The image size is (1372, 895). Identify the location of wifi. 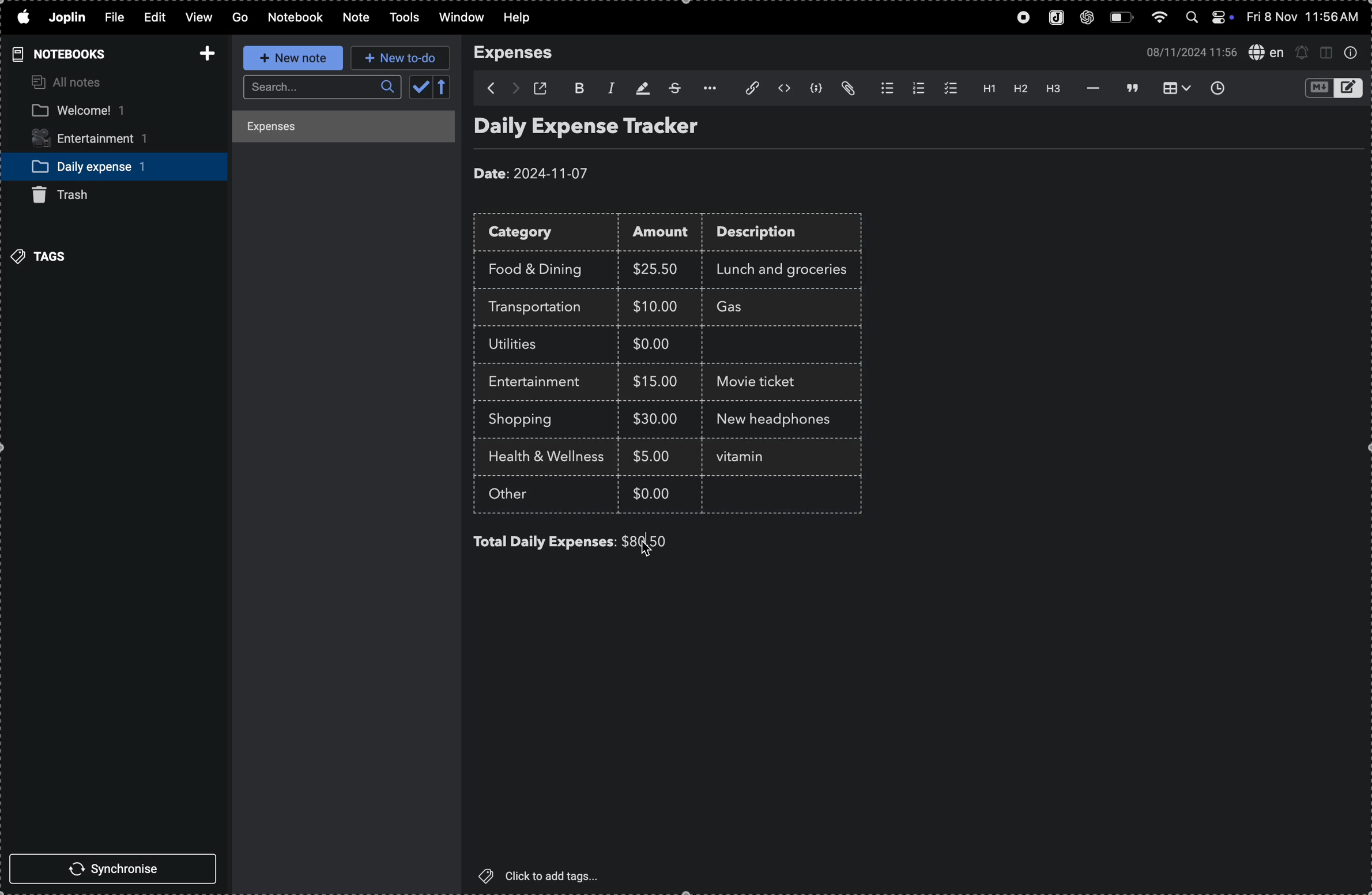
(1158, 20).